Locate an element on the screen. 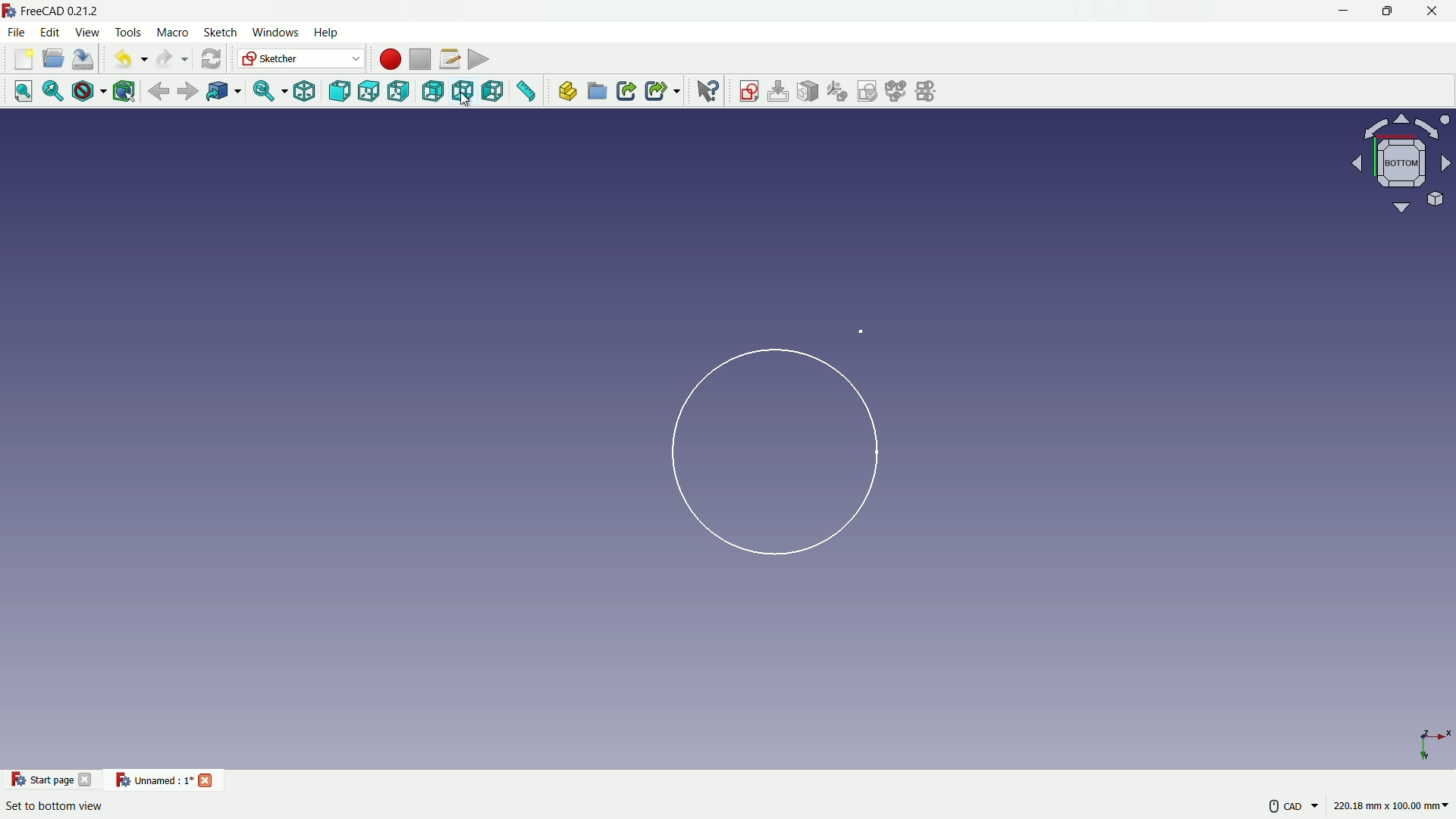 The width and height of the screenshot is (1456, 819). tools menu is located at coordinates (129, 33).